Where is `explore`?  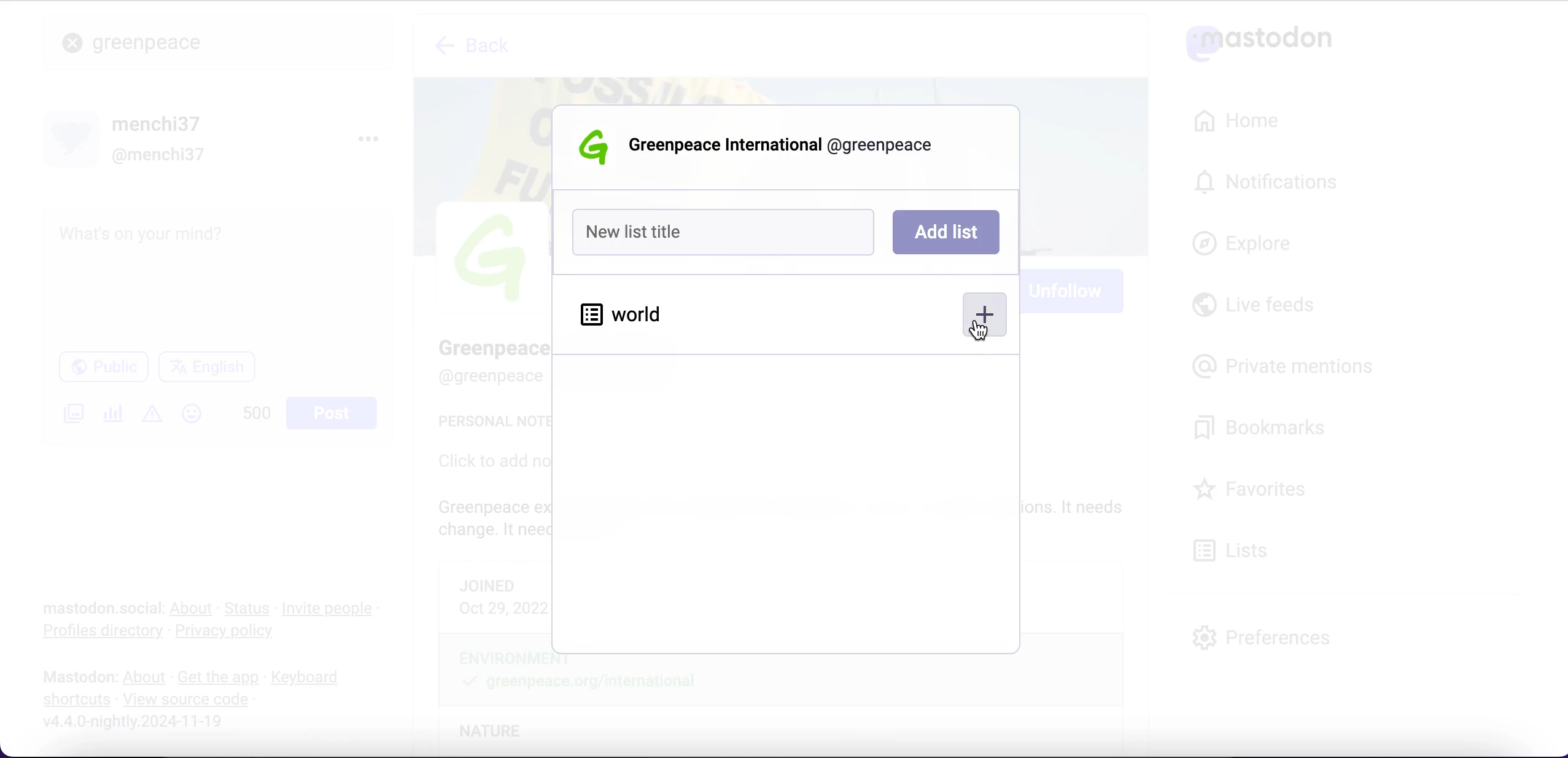 explore is located at coordinates (1254, 244).